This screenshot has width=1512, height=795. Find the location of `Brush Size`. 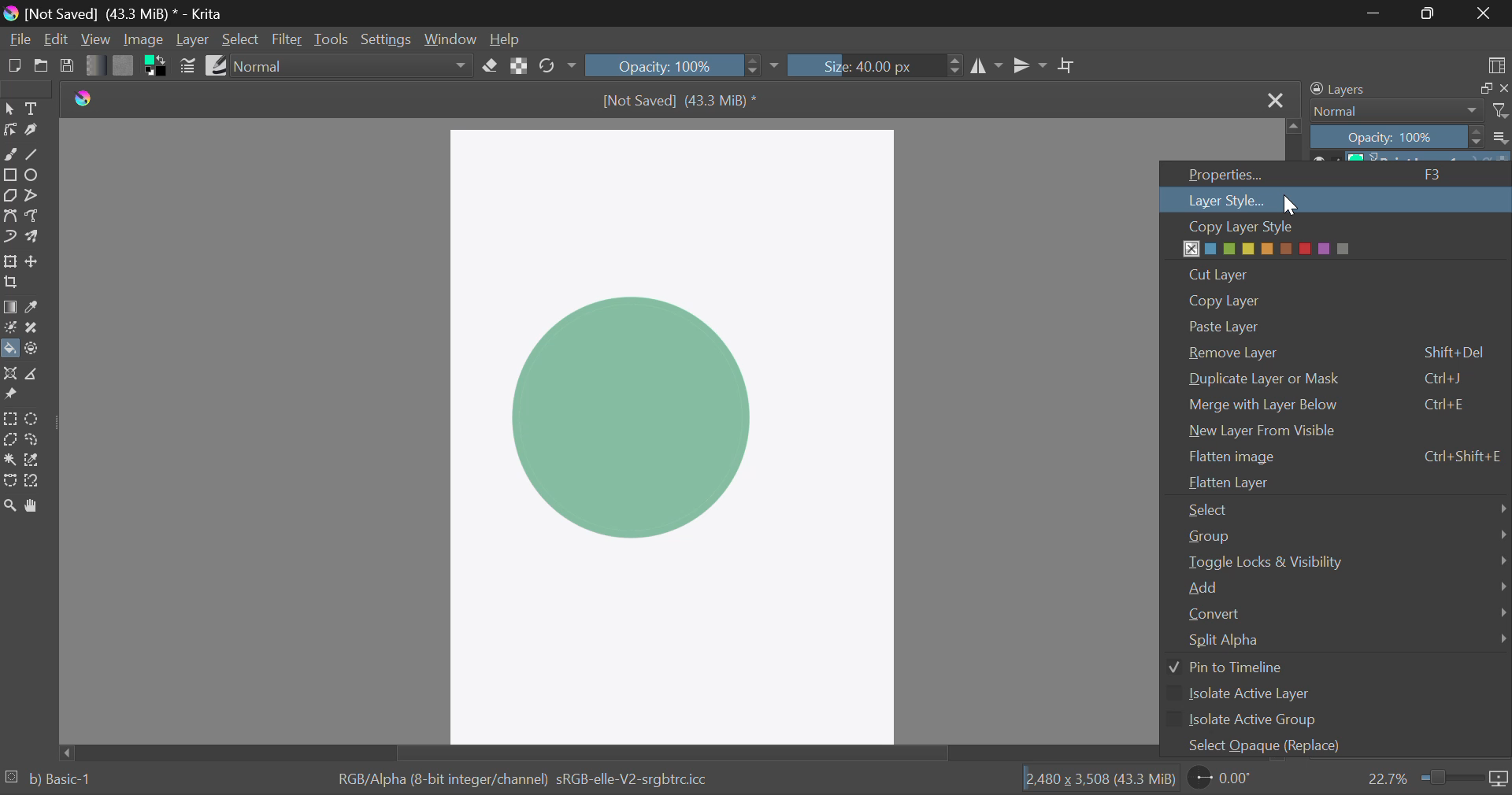

Brush Size is located at coordinates (873, 65).